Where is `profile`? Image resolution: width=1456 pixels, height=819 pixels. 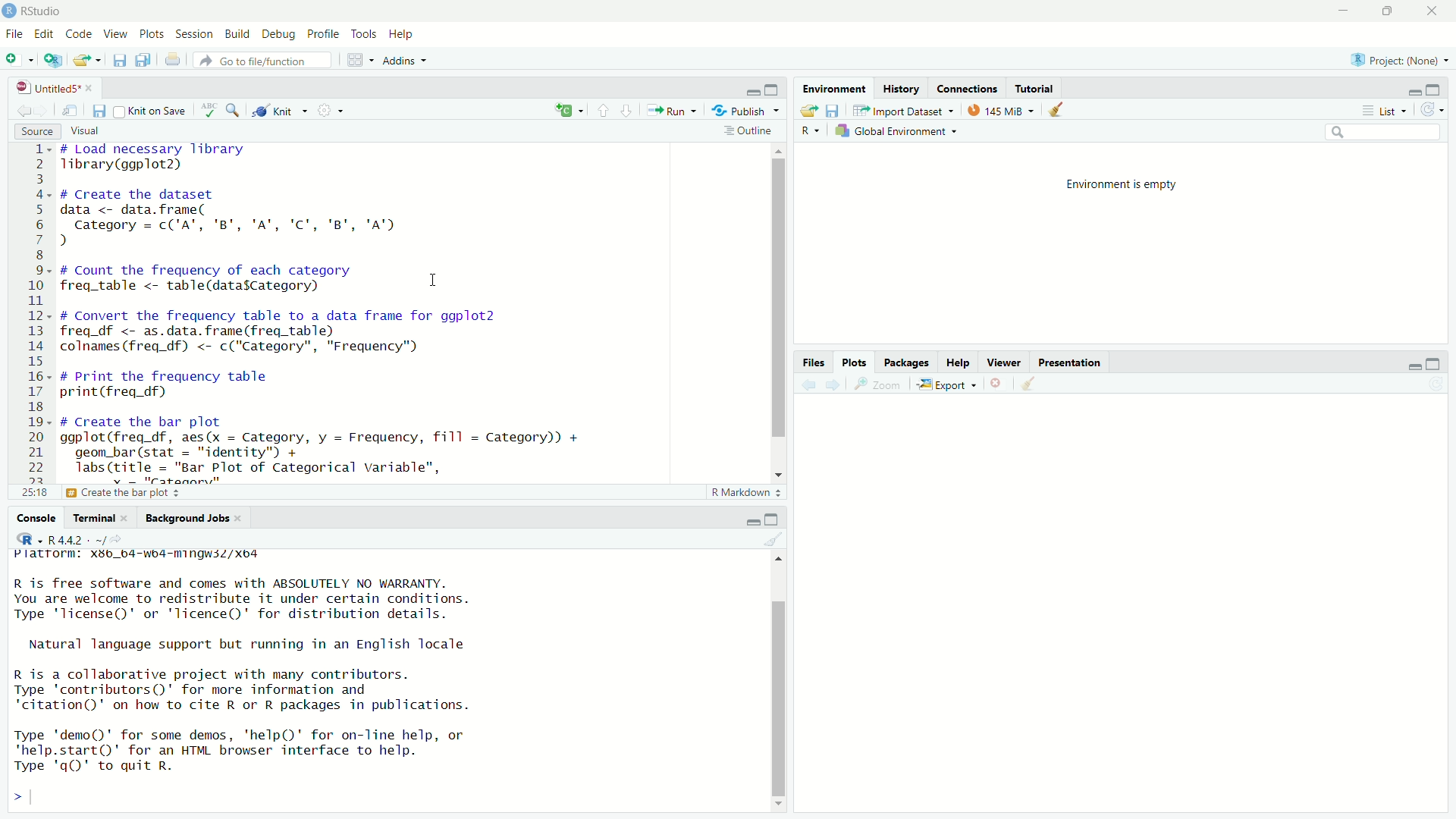
profile is located at coordinates (322, 34).